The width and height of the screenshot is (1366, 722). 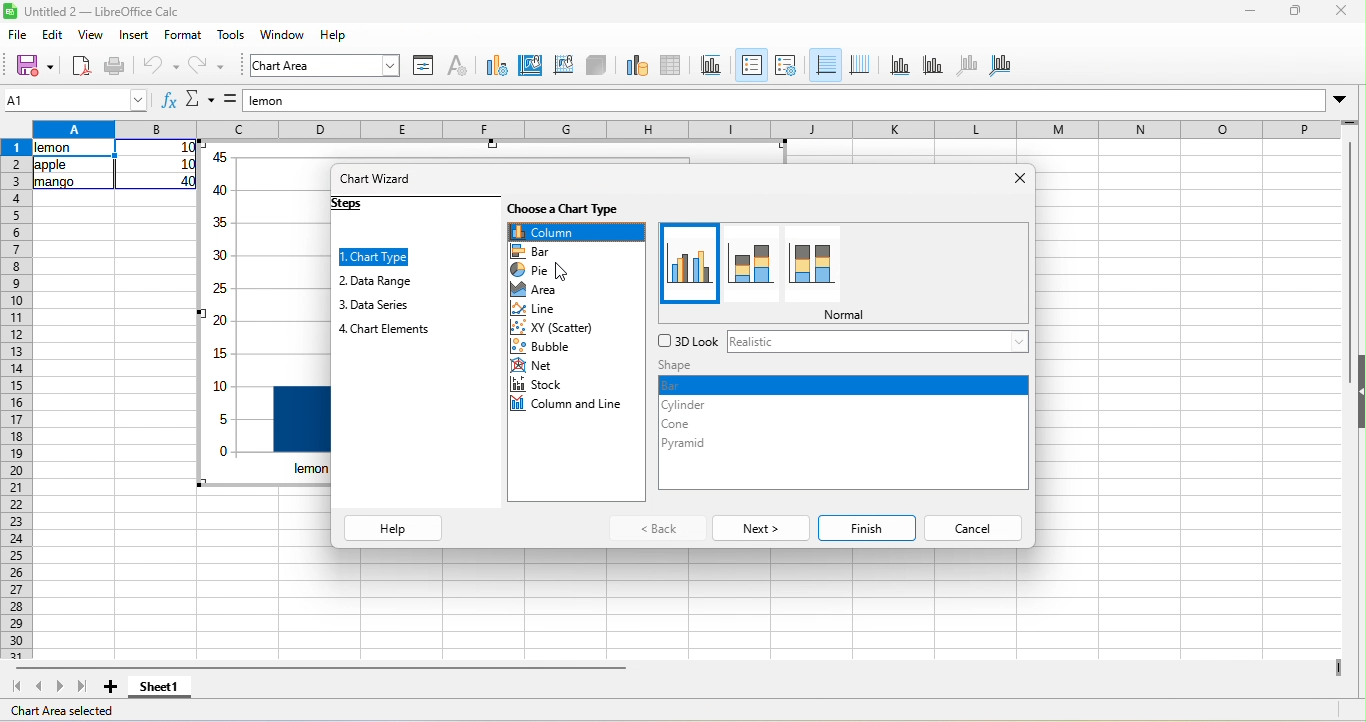 What do you see at coordinates (42, 688) in the screenshot?
I see `scroll to previous sheet` at bounding box center [42, 688].